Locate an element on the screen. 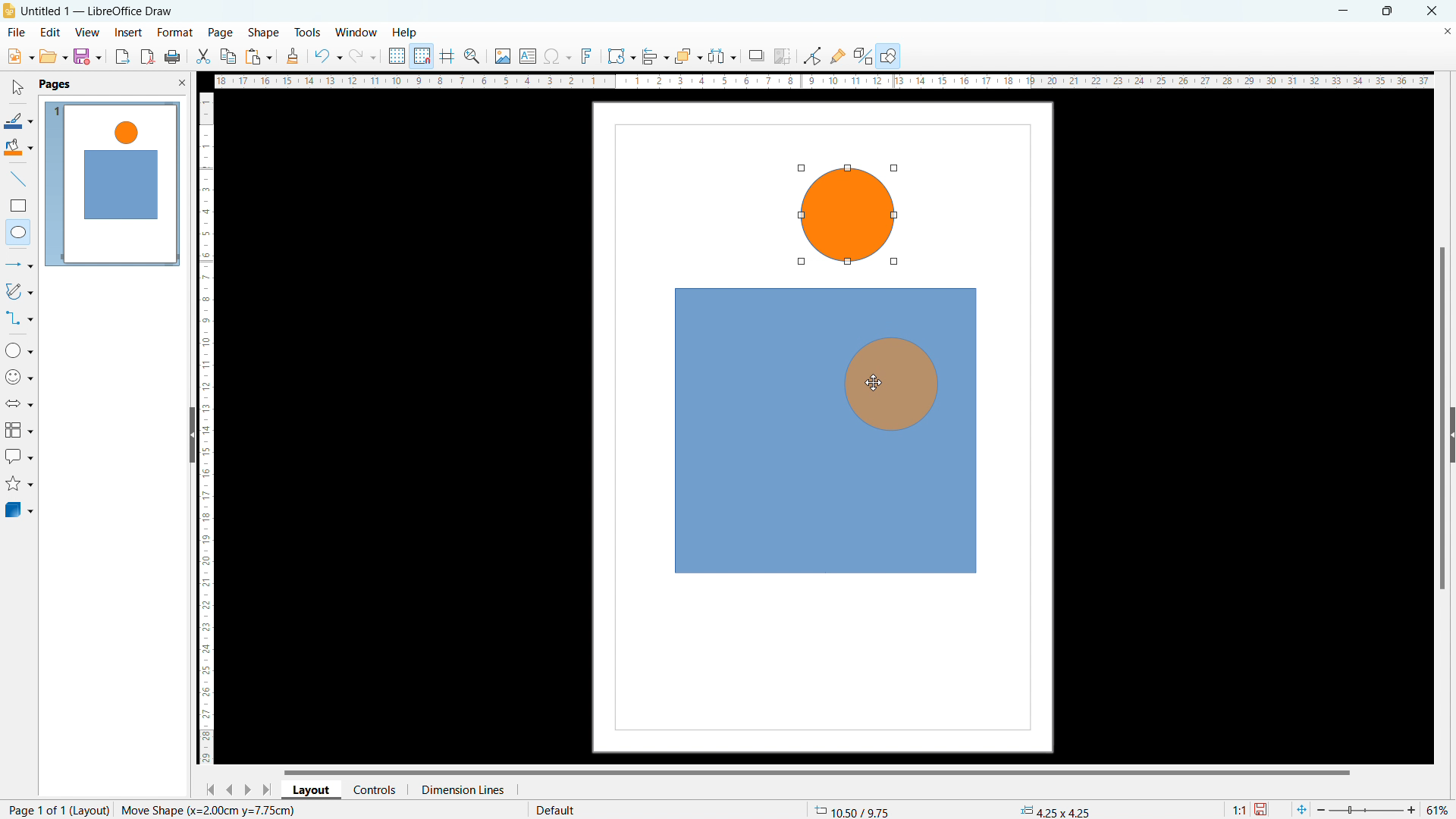 The height and width of the screenshot is (819, 1456). transformations is located at coordinates (620, 56).